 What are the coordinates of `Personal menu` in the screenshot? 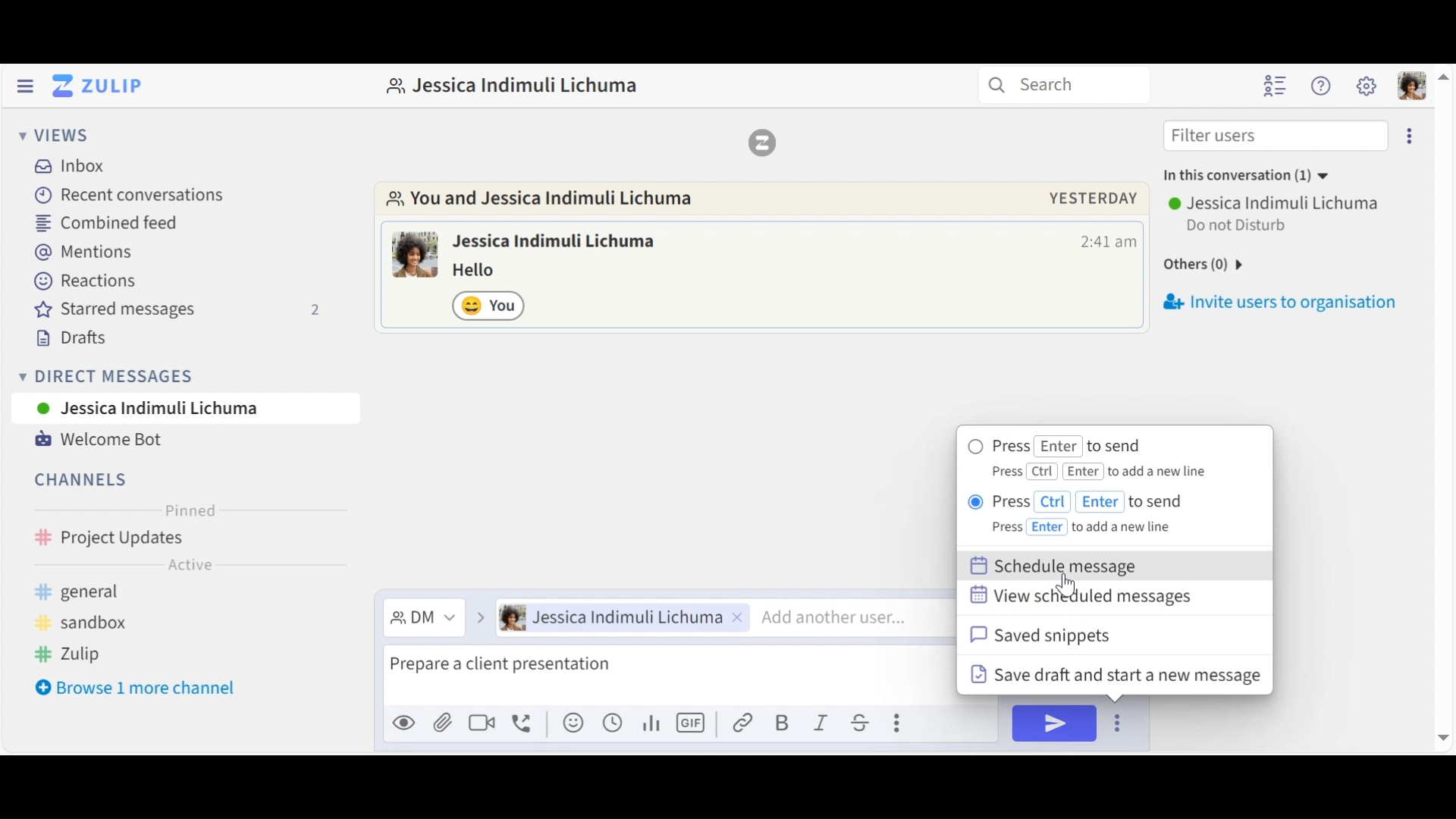 It's located at (1409, 85).